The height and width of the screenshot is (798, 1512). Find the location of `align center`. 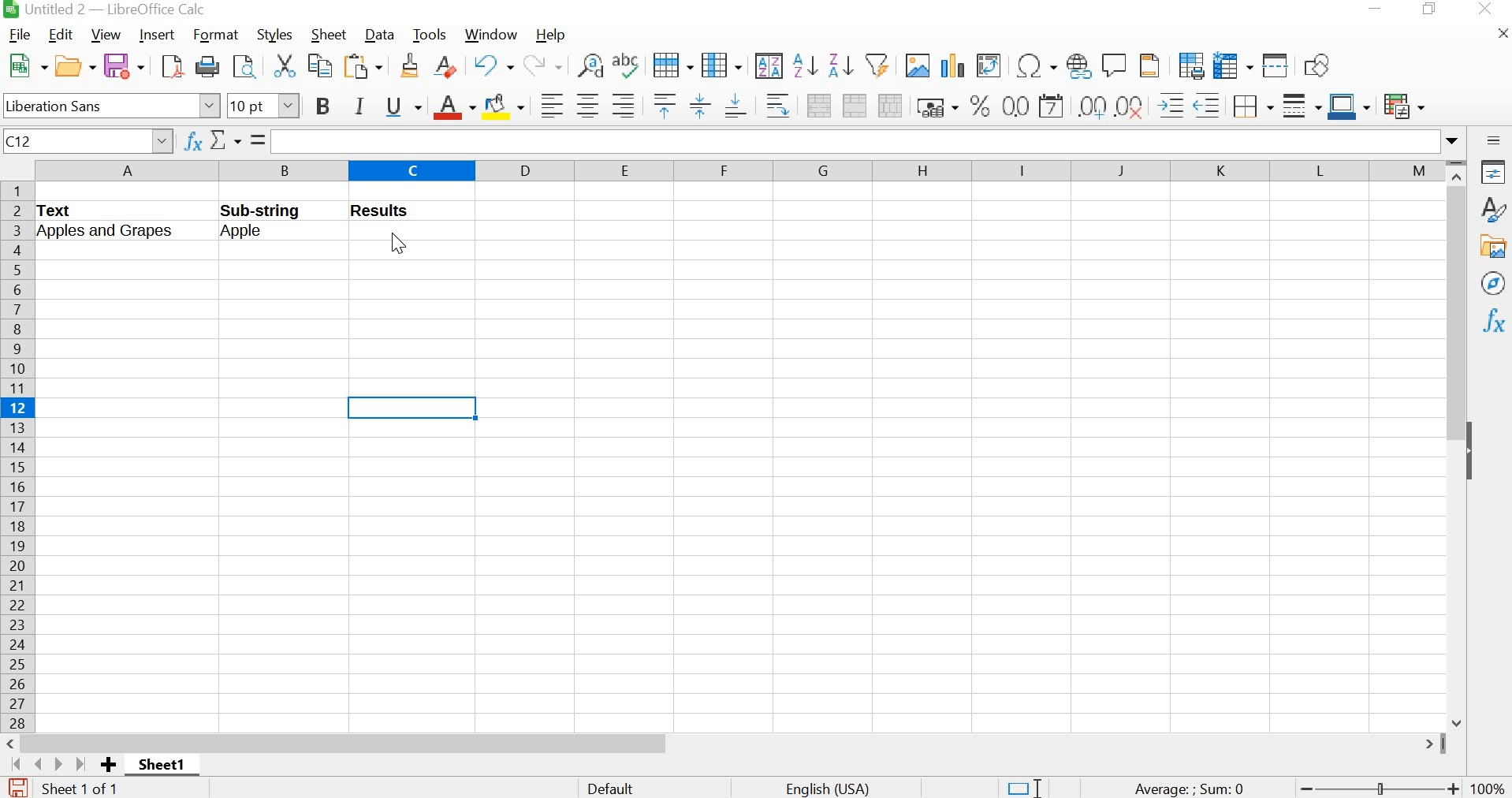

align center is located at coordinates (586, 105).